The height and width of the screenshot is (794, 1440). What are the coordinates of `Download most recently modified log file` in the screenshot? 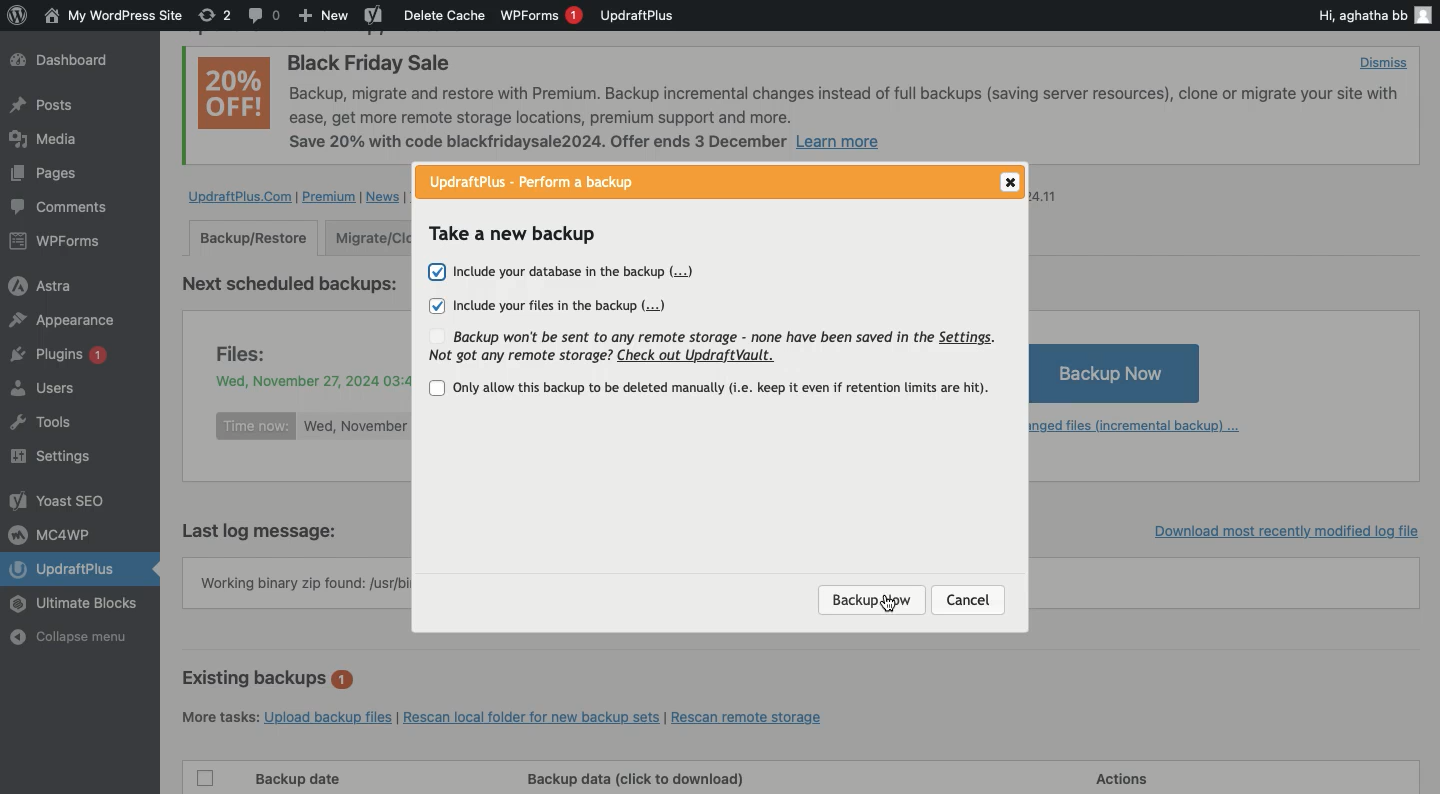 It's located at (1280, 527).